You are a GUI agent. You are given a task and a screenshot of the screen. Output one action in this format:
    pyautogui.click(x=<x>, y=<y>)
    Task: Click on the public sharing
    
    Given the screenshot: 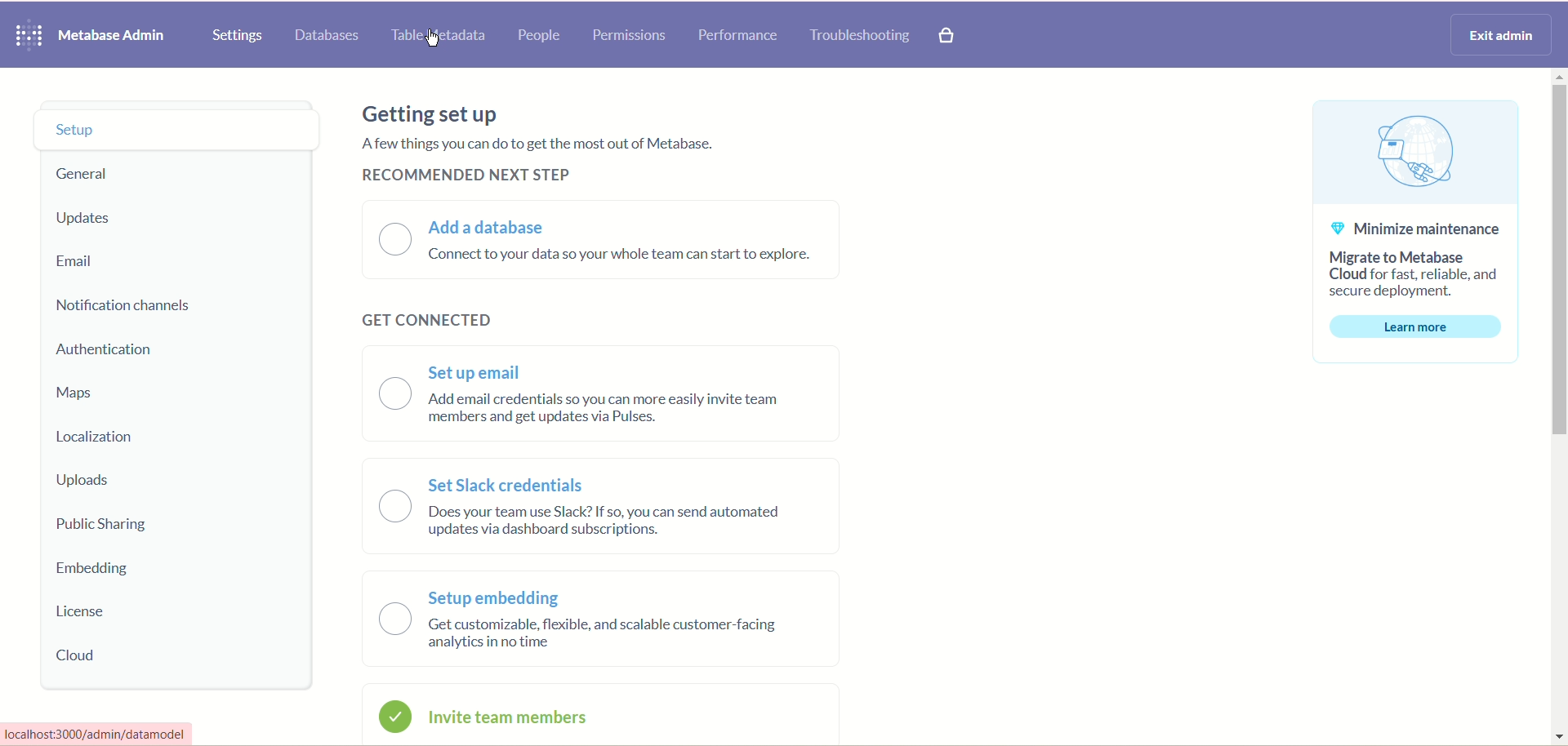 What is the action you would take?
    pyautogui.click(x=102, y=522)
    